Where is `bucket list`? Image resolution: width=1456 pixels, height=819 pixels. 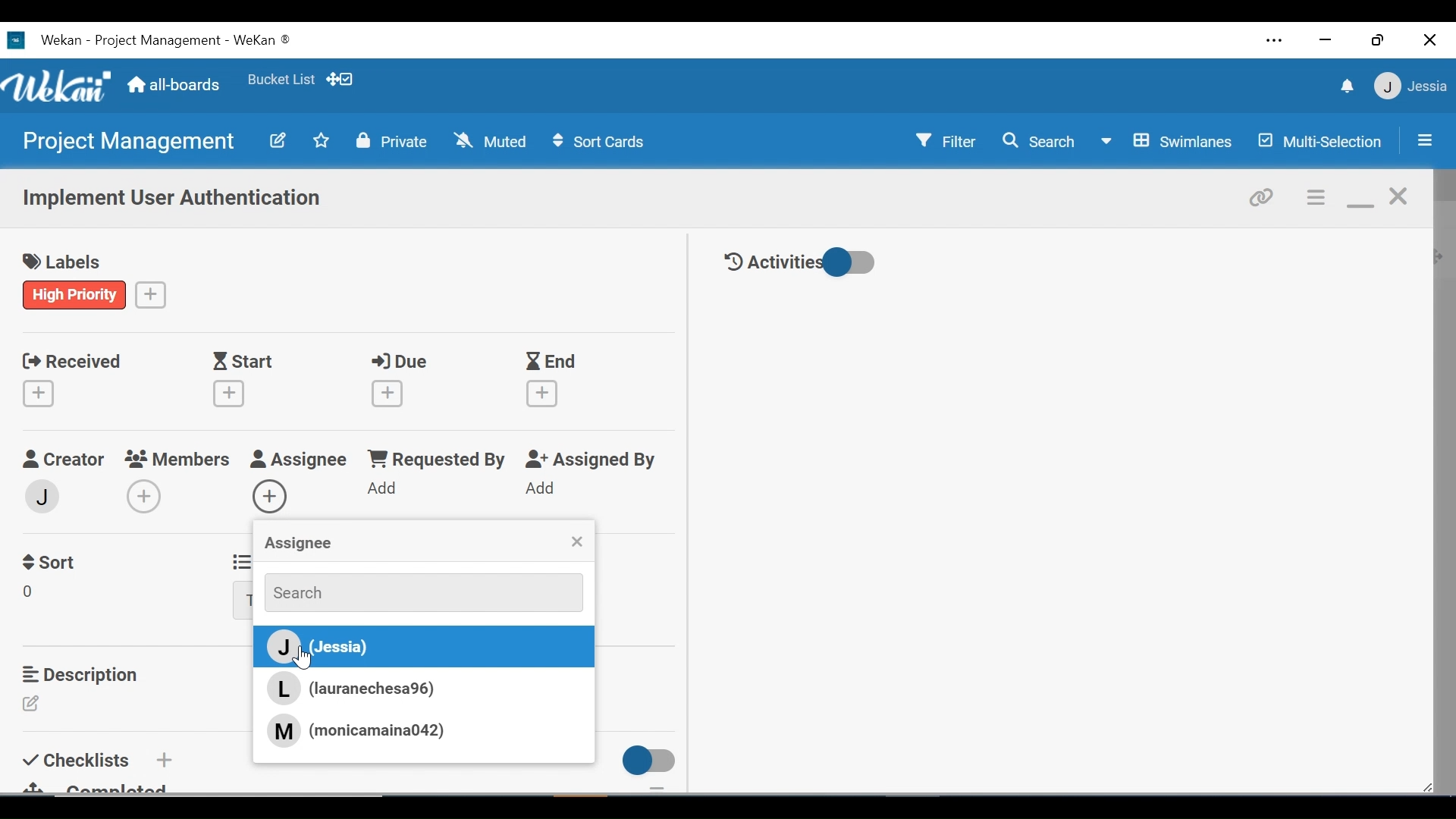
bucket list is located at coordinates (281, 80).